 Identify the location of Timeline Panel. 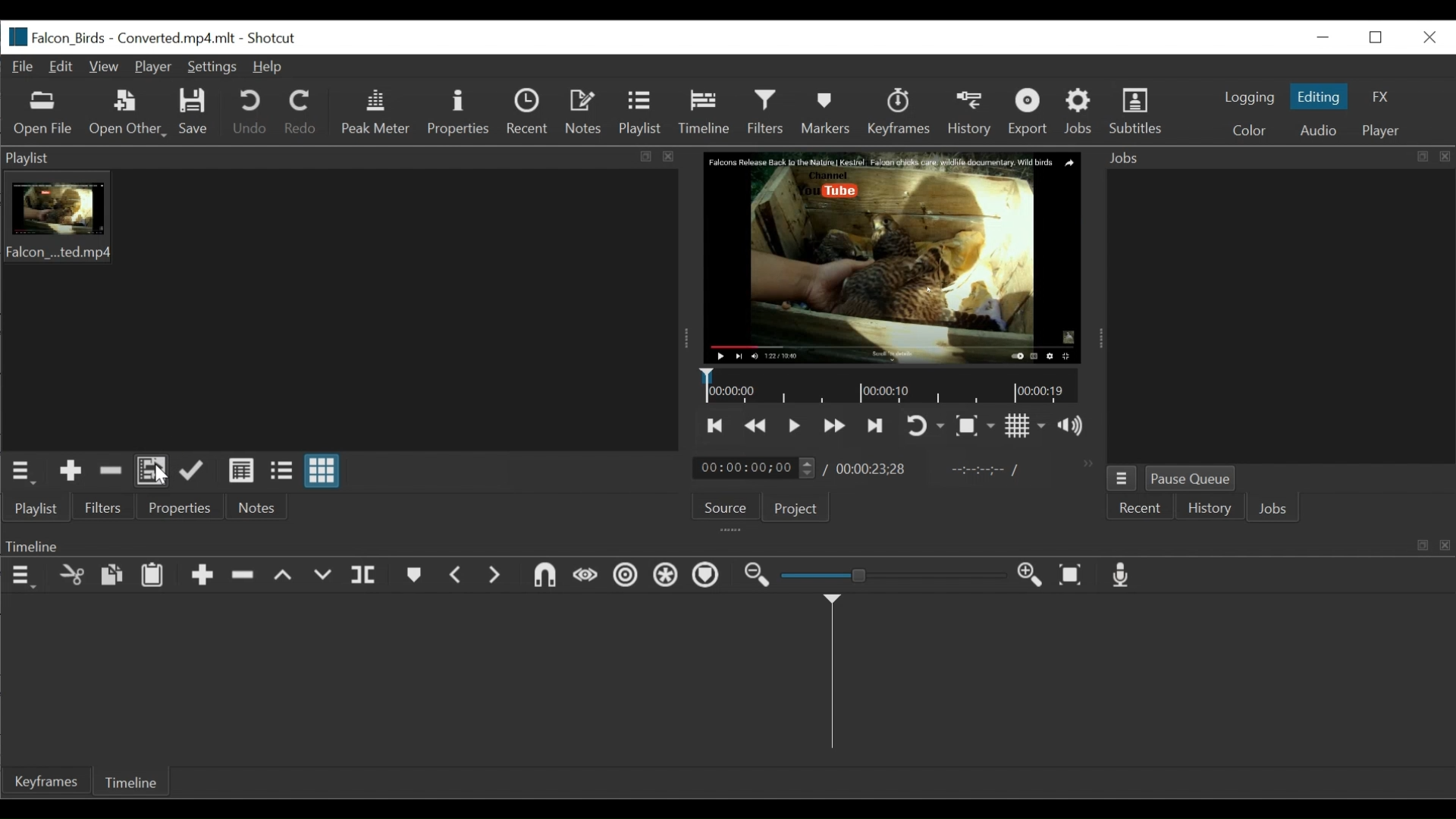
(726, 545).